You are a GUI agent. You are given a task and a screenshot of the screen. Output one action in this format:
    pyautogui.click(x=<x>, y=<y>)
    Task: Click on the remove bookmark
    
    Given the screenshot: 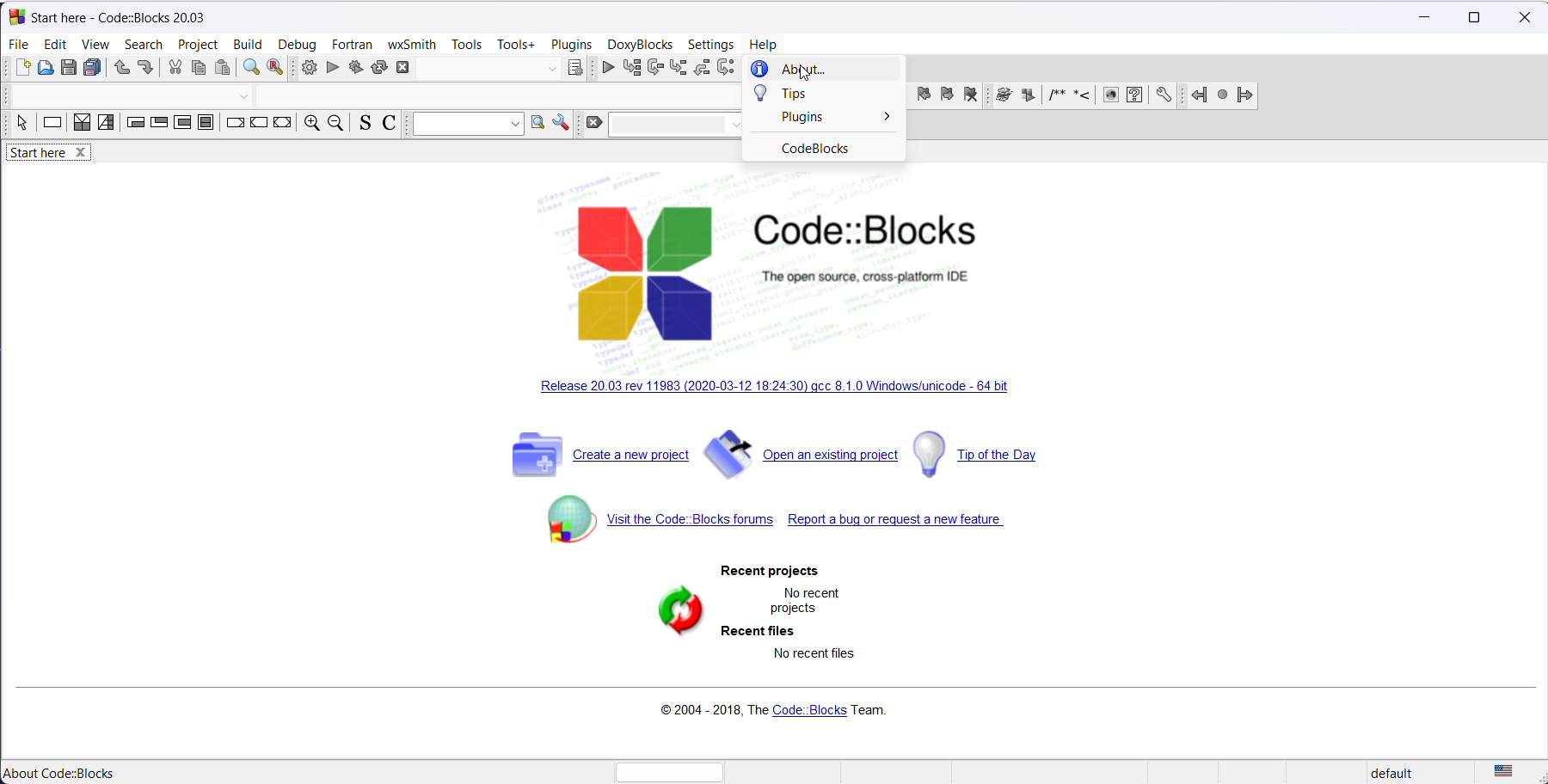 What is the action you would take?
    pyautogui.click(x=974, y=95)
    